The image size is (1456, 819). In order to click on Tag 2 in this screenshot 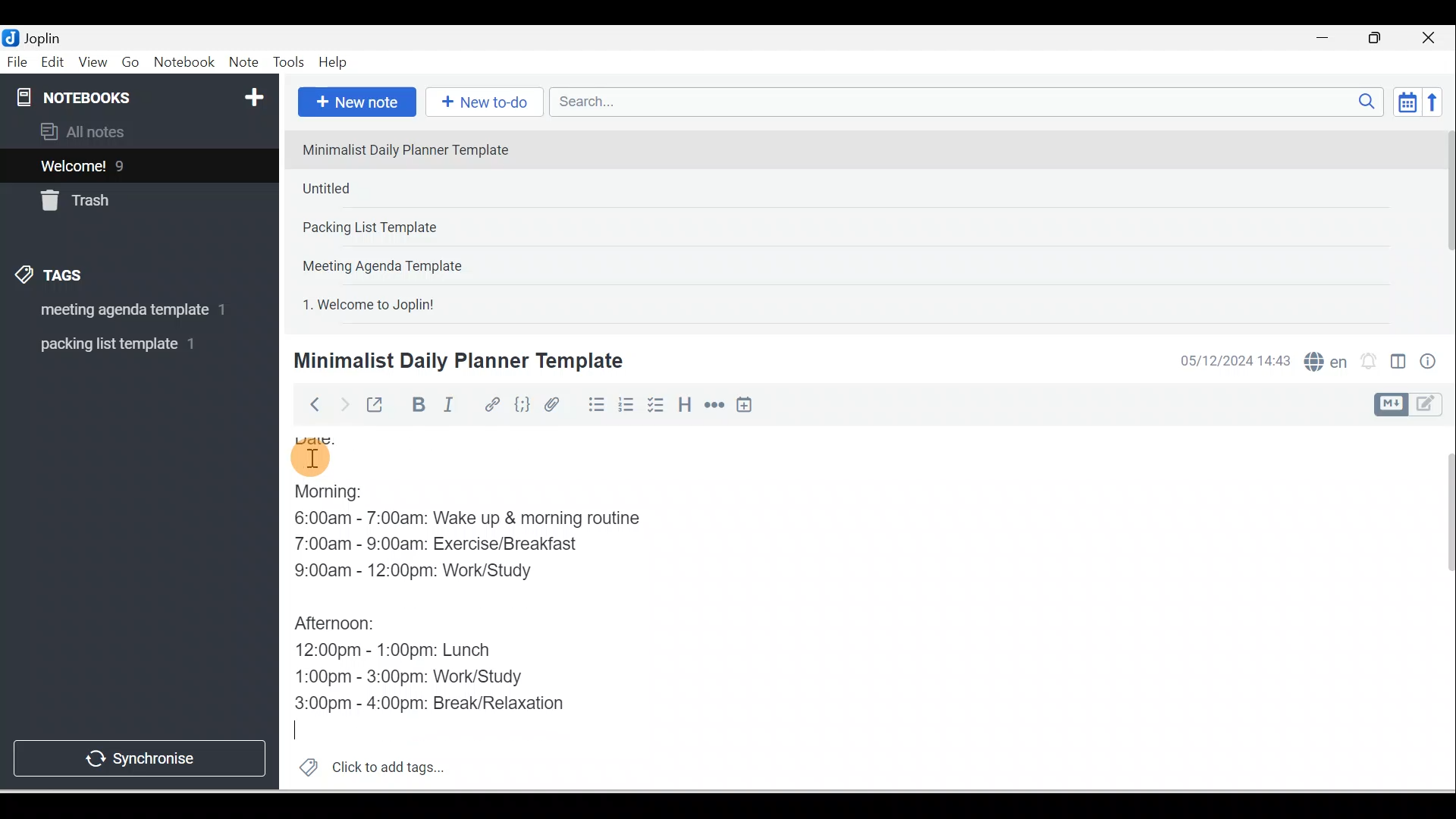, I will do `click(128, 344)`.